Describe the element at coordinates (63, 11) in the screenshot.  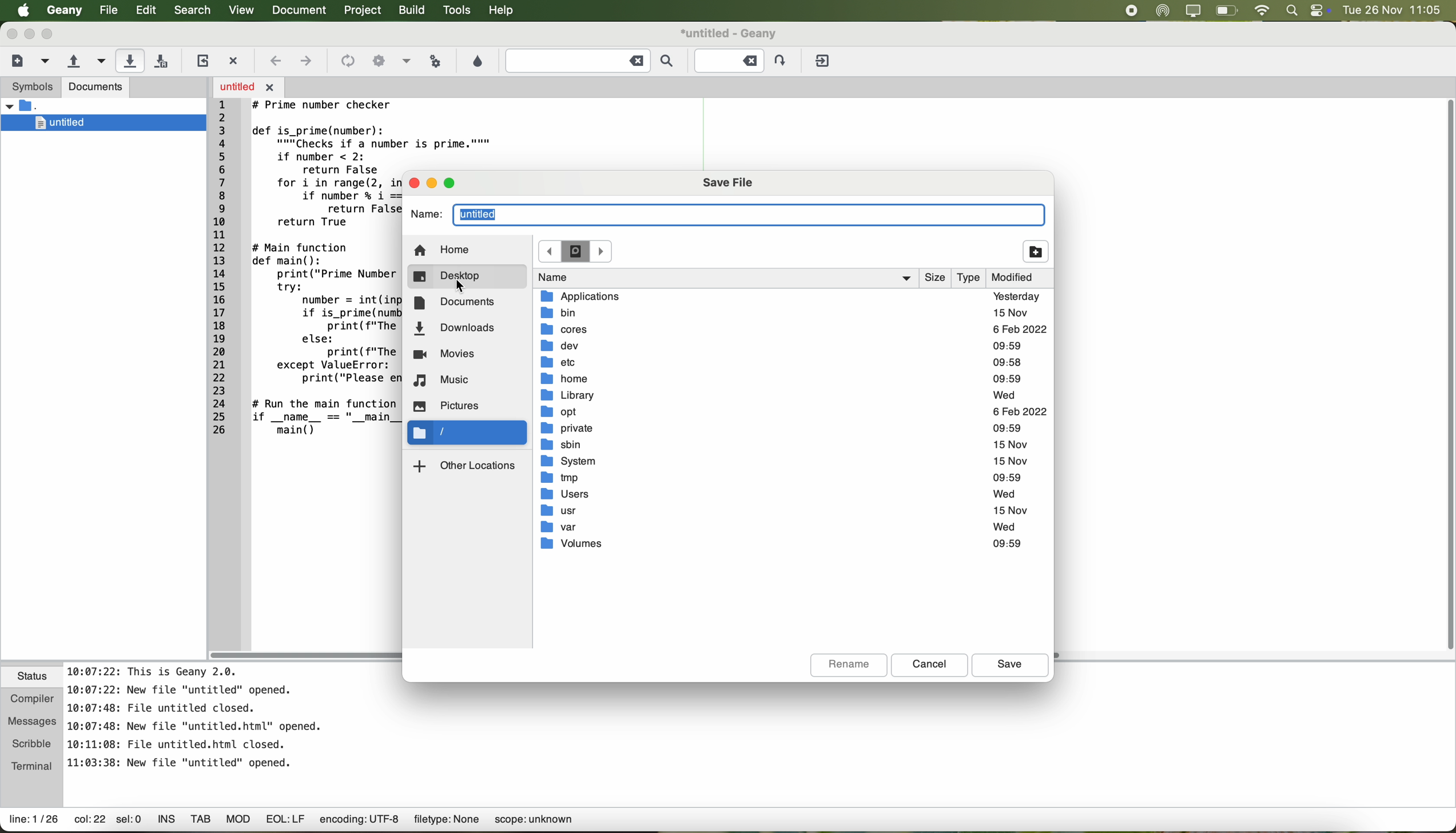
I see `Geany` at that location.